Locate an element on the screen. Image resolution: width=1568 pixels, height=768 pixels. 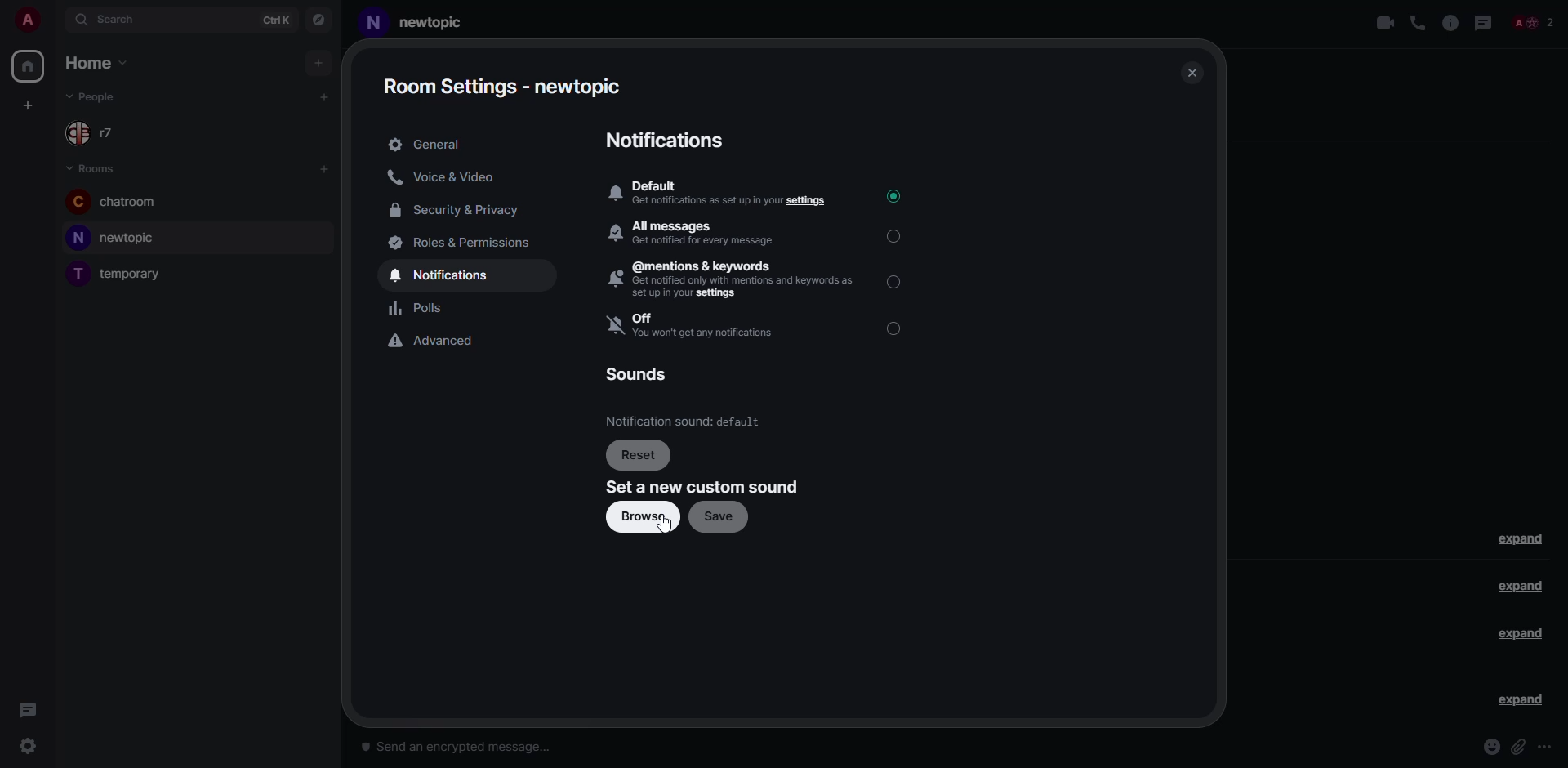
, @mentions & keywords
2 Get notified only with mentions snd keywords as
Setup i your settings is located at coordinates (728, 279).